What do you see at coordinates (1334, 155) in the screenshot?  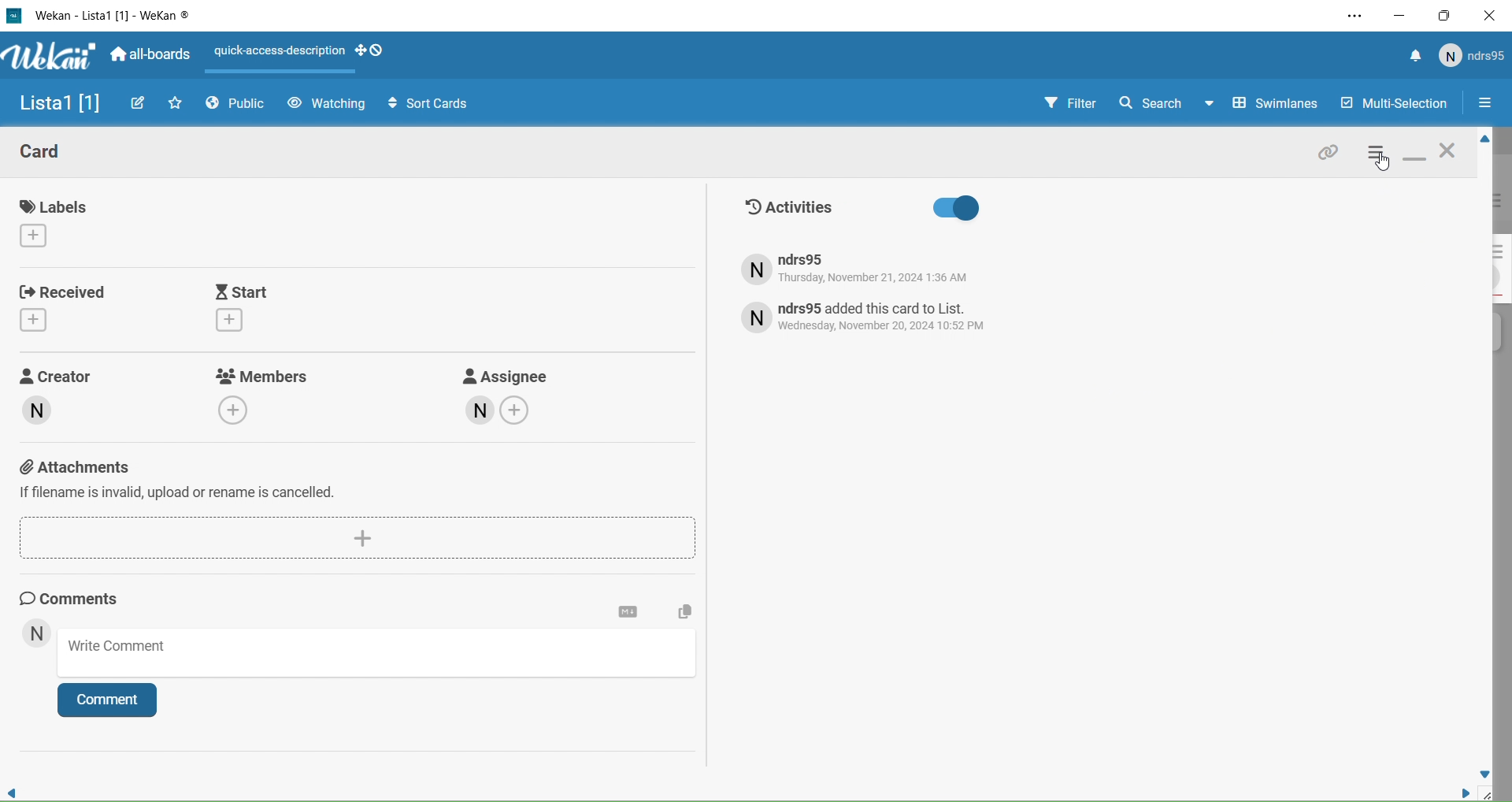 I see `Link` at bounding box center [1334, 155].